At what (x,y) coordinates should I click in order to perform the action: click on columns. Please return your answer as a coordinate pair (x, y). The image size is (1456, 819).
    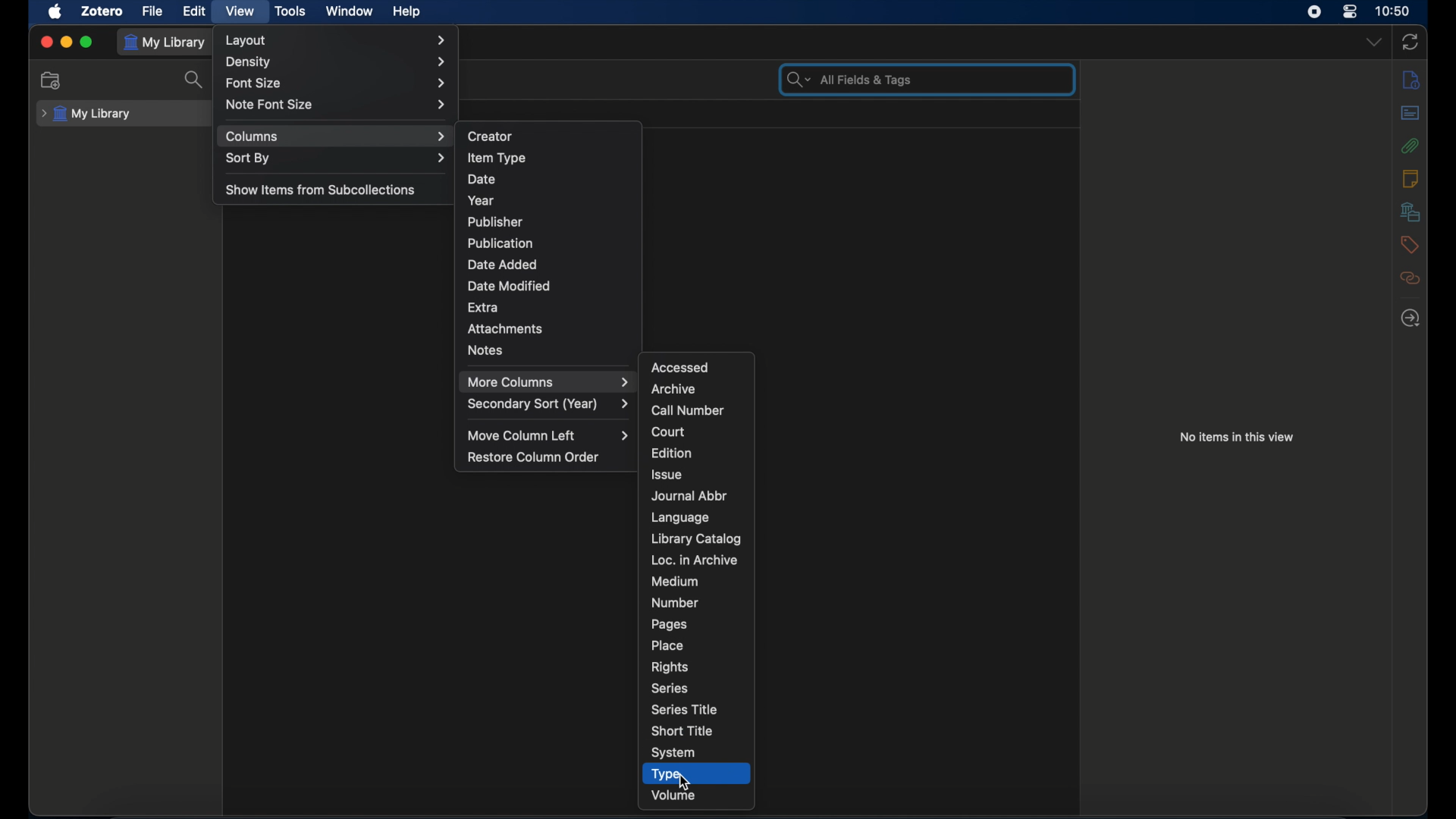
    Looking at the image, I should click on (336, 137).